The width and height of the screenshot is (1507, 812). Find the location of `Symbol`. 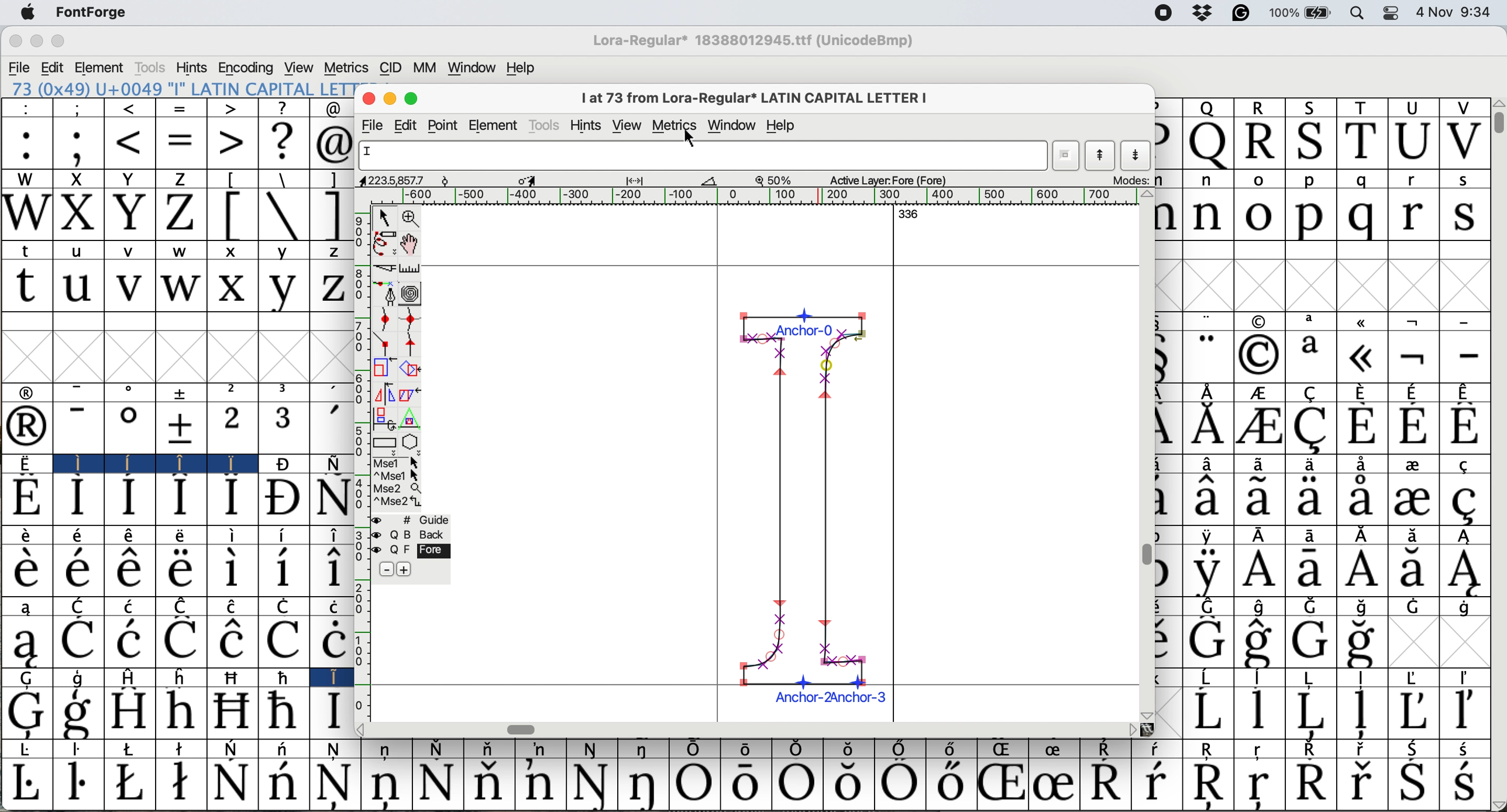

Symbol is located at coordinates (643, 751).